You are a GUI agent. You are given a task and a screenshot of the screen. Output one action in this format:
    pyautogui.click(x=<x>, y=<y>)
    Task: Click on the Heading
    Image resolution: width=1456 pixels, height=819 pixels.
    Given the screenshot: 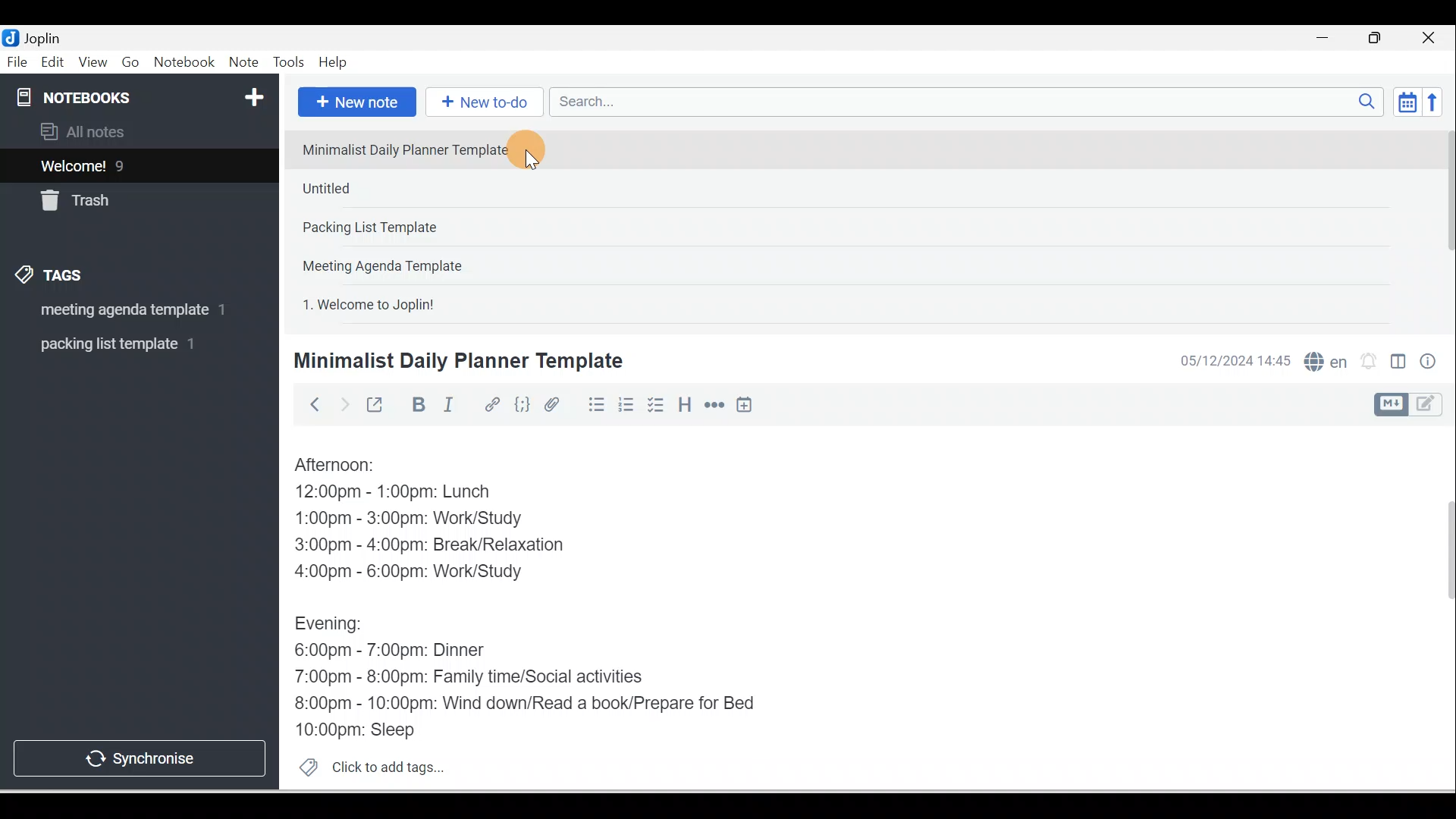 What is the action you would take?
    pyautogui.click(x=684, y=403)
    